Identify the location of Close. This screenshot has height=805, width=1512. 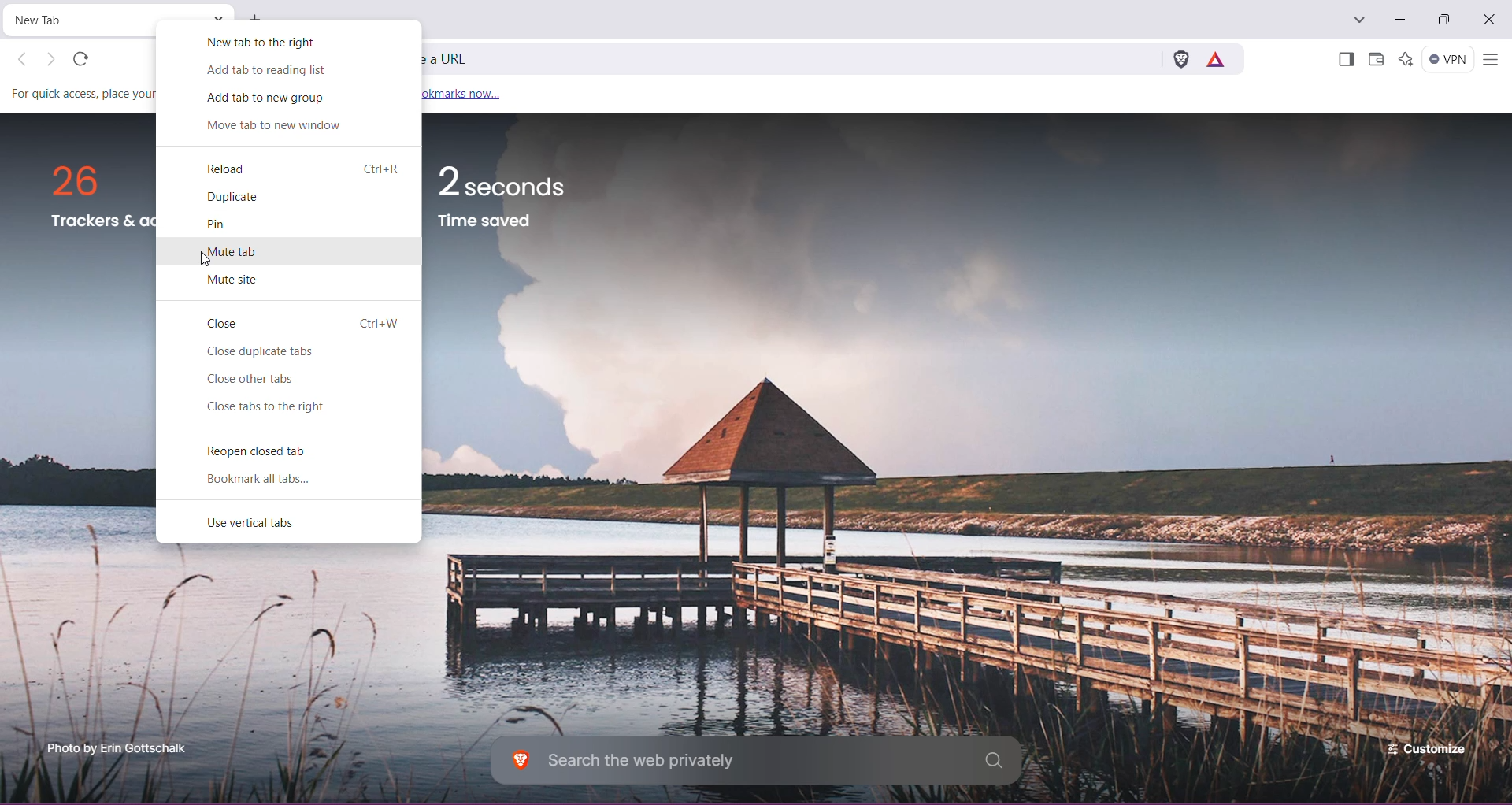
(302, 321).